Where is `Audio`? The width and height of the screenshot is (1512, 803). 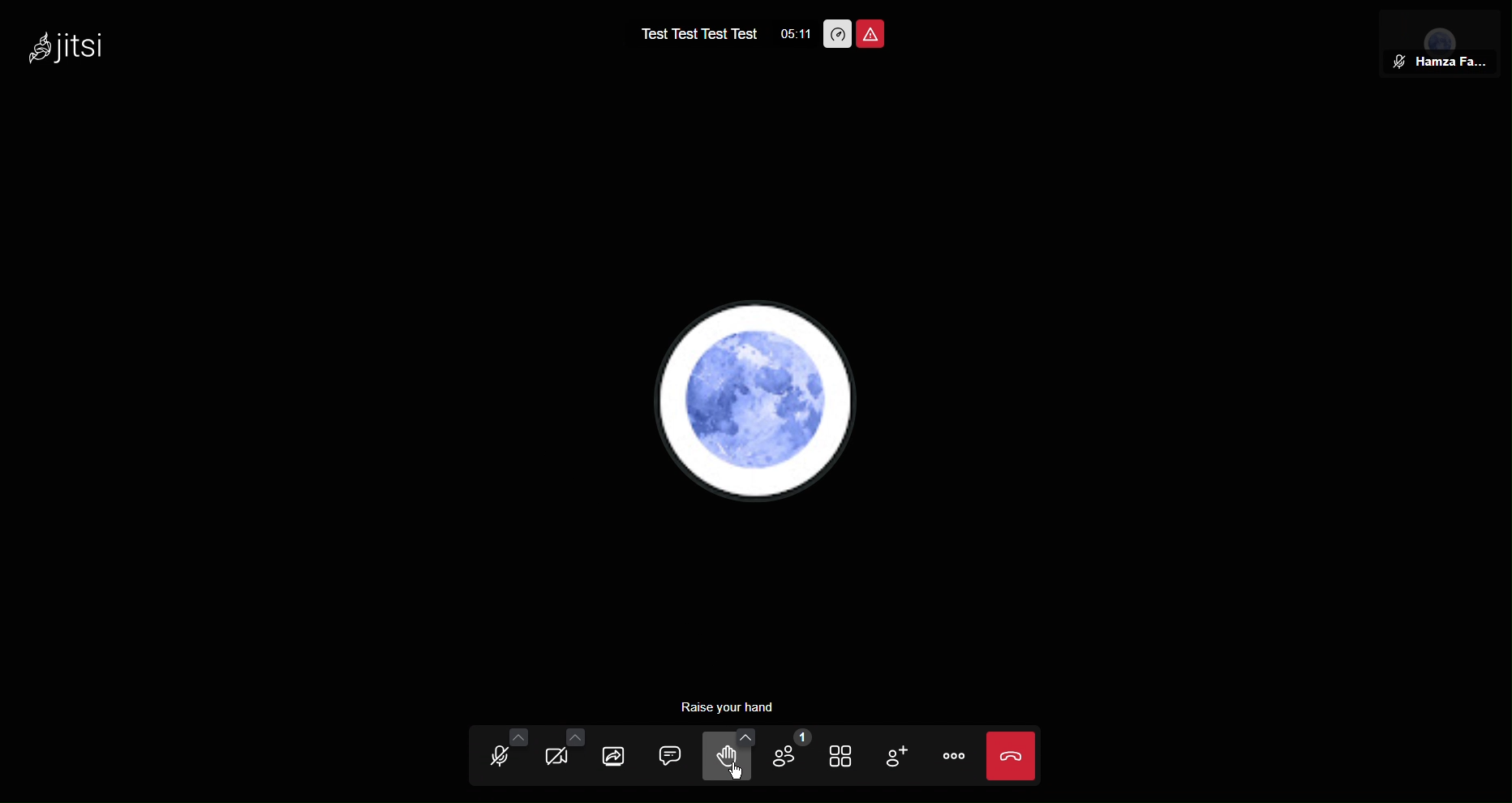 Audio is located at coordinates (500, 754).